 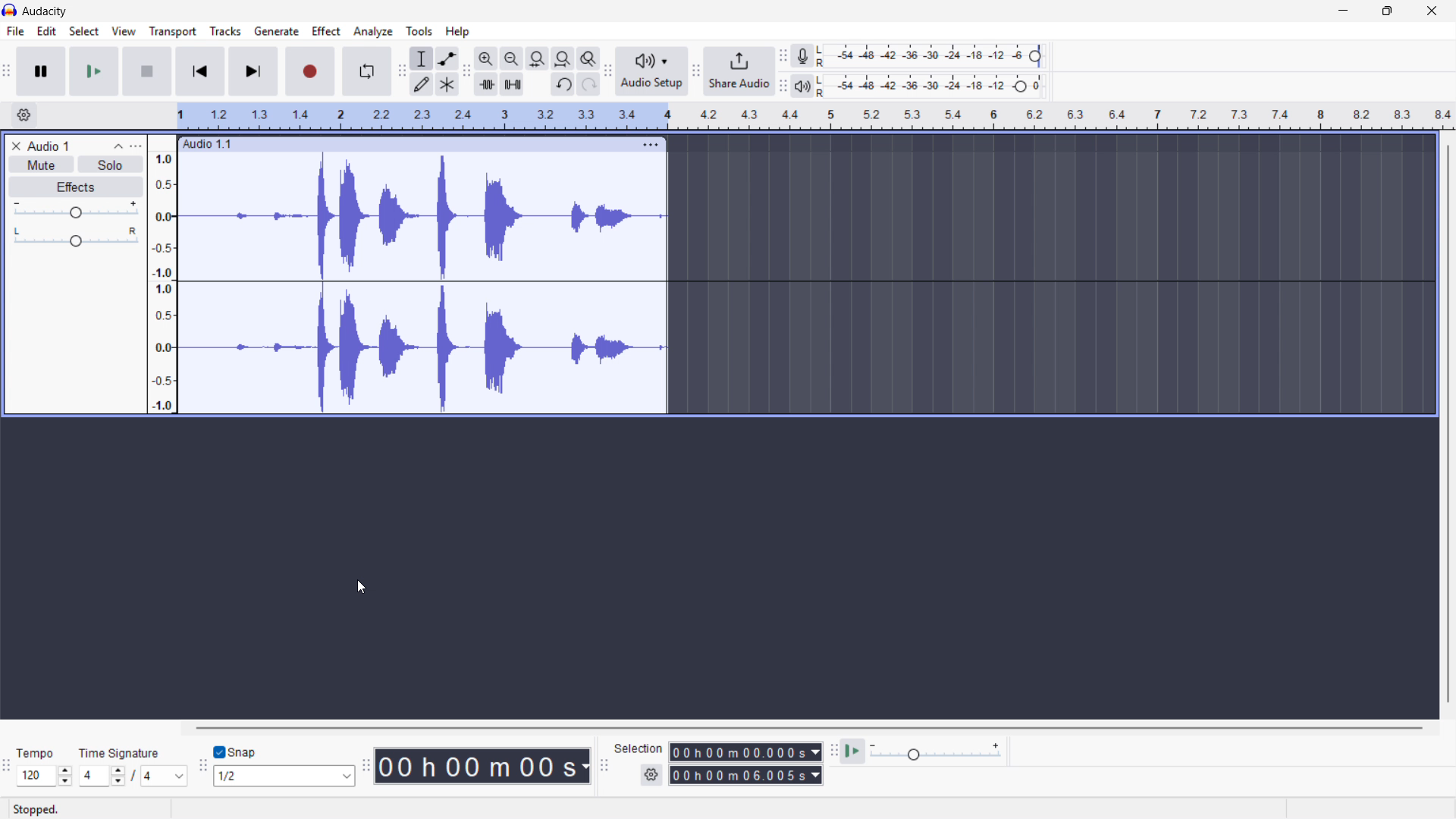 I want to click on Playback speed, so click(x=935, y=753).